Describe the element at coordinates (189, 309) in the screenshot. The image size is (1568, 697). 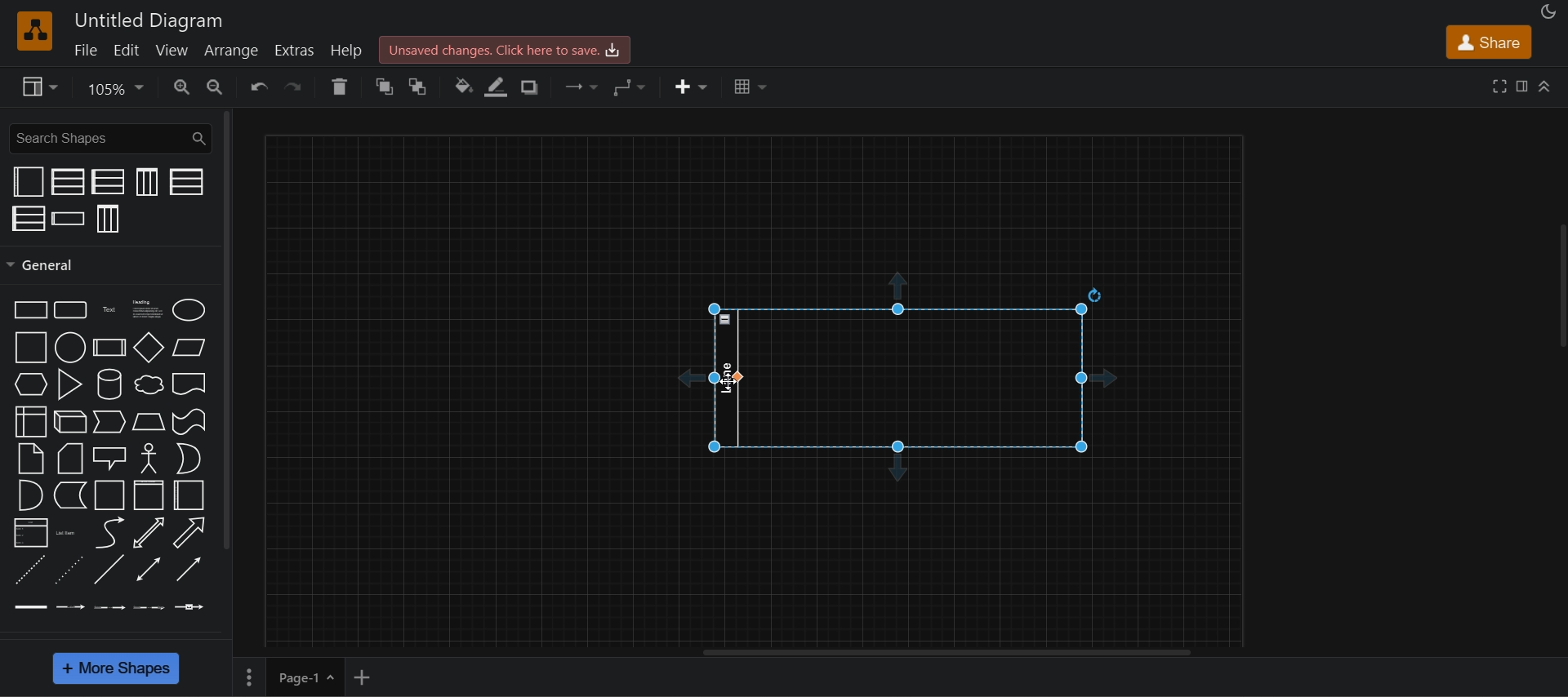
I see `ellipse` at that location.